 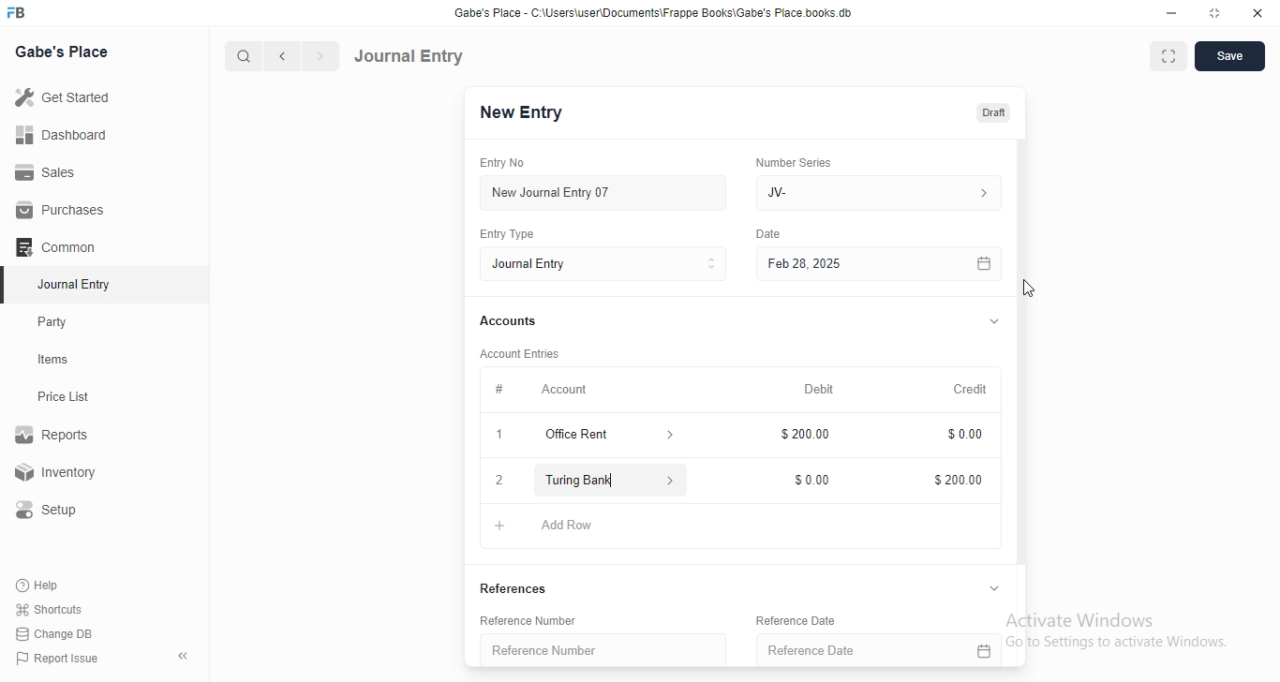 What do you see at coordinates (792, 162) in the screenshot?
I see `‘Number Series` at bounding box center [792, 162].